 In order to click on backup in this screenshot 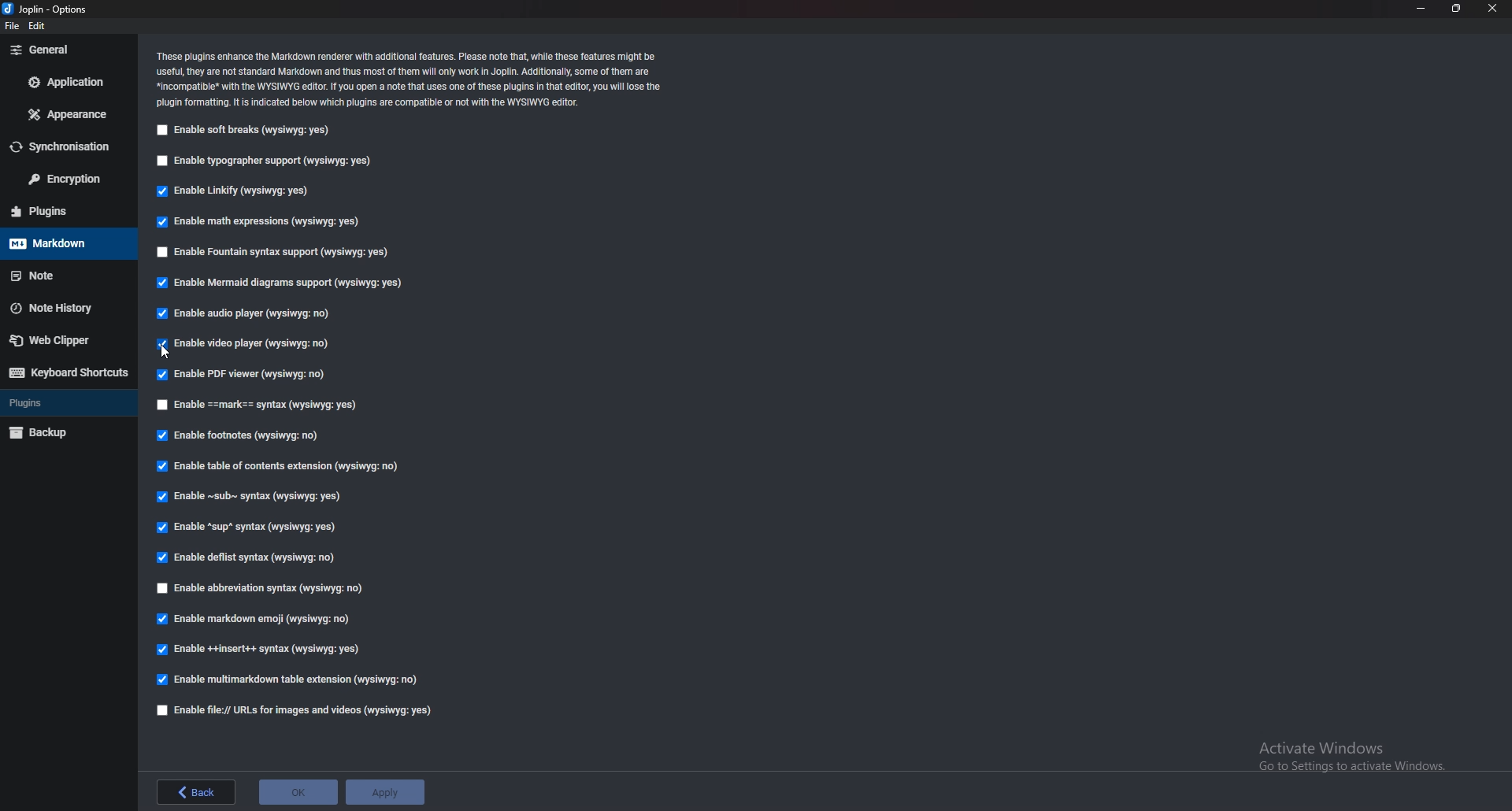, I will do `click(62, 433)`.